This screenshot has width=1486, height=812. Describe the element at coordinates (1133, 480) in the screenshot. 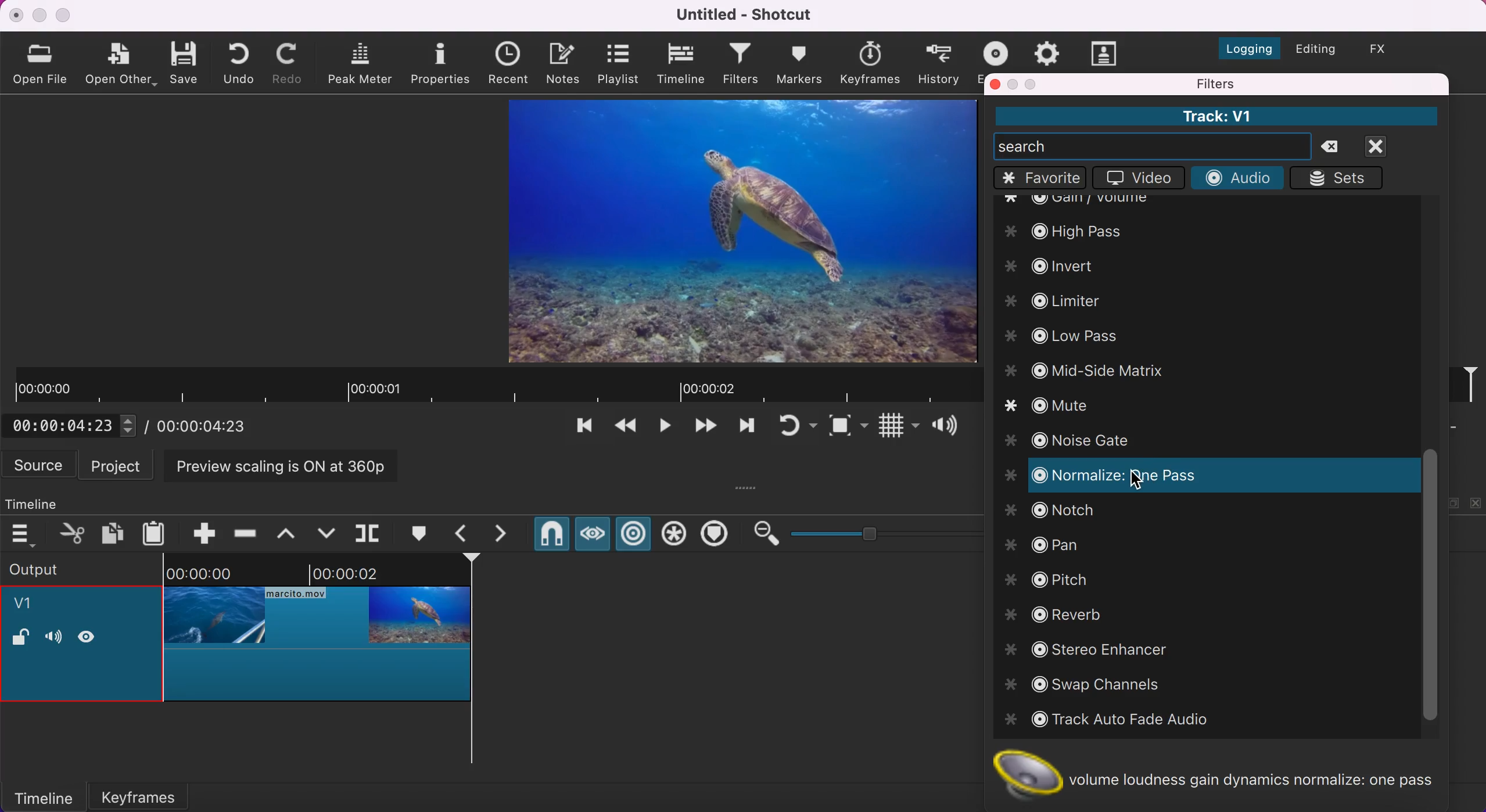

I see `cursor` at that location.